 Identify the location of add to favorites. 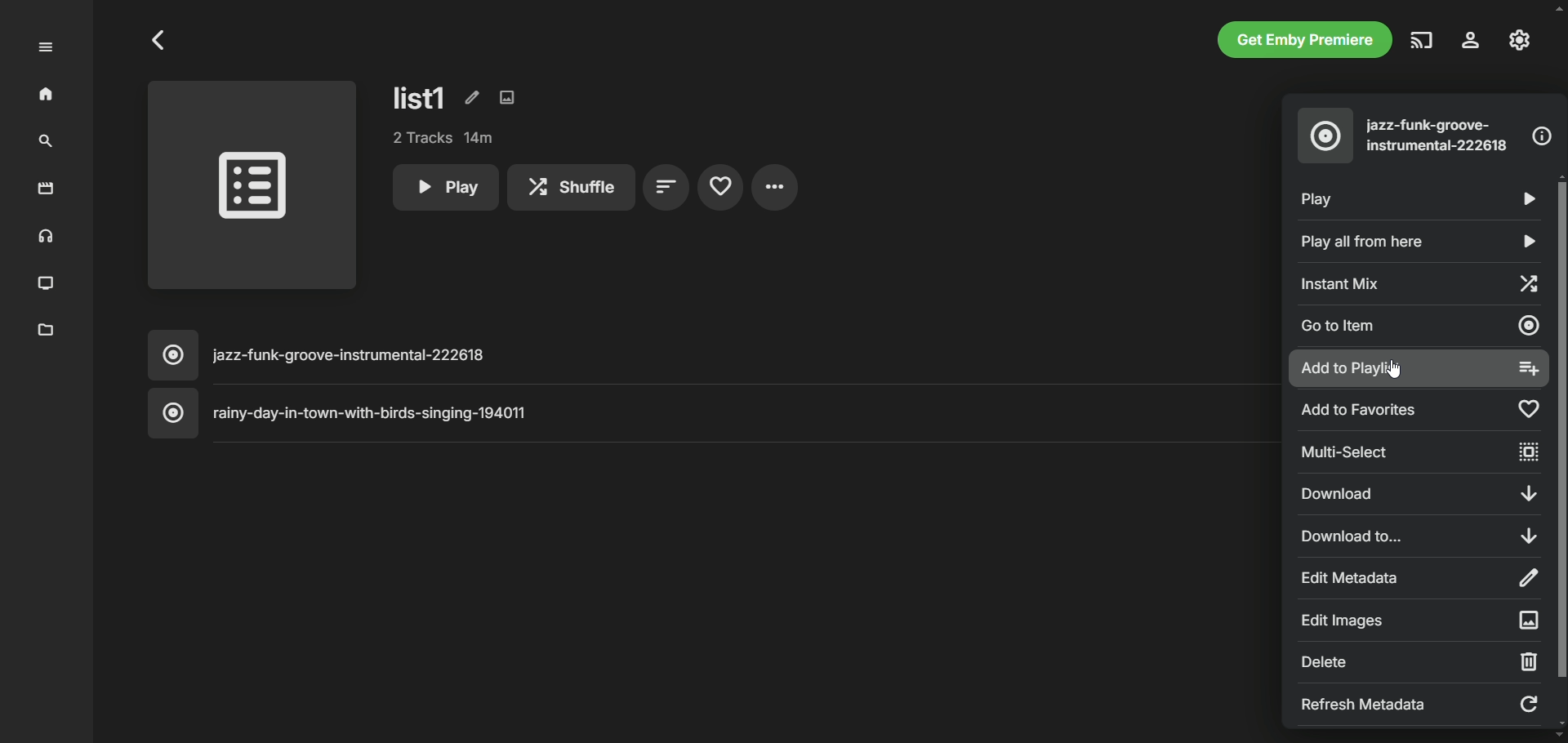
(1420, 411).